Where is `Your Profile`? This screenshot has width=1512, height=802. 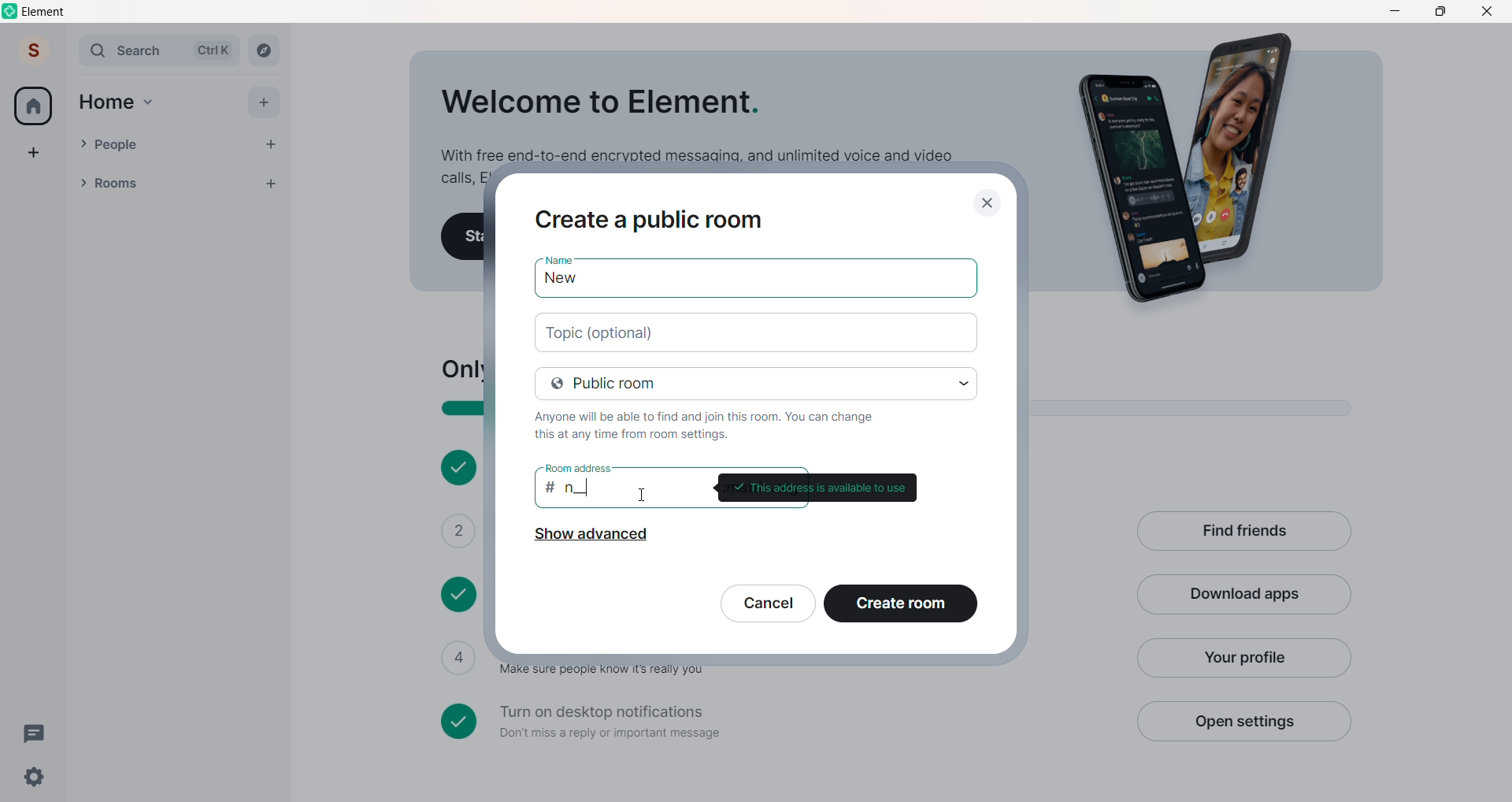
Your Profile is located at coordinates (1242, 658).